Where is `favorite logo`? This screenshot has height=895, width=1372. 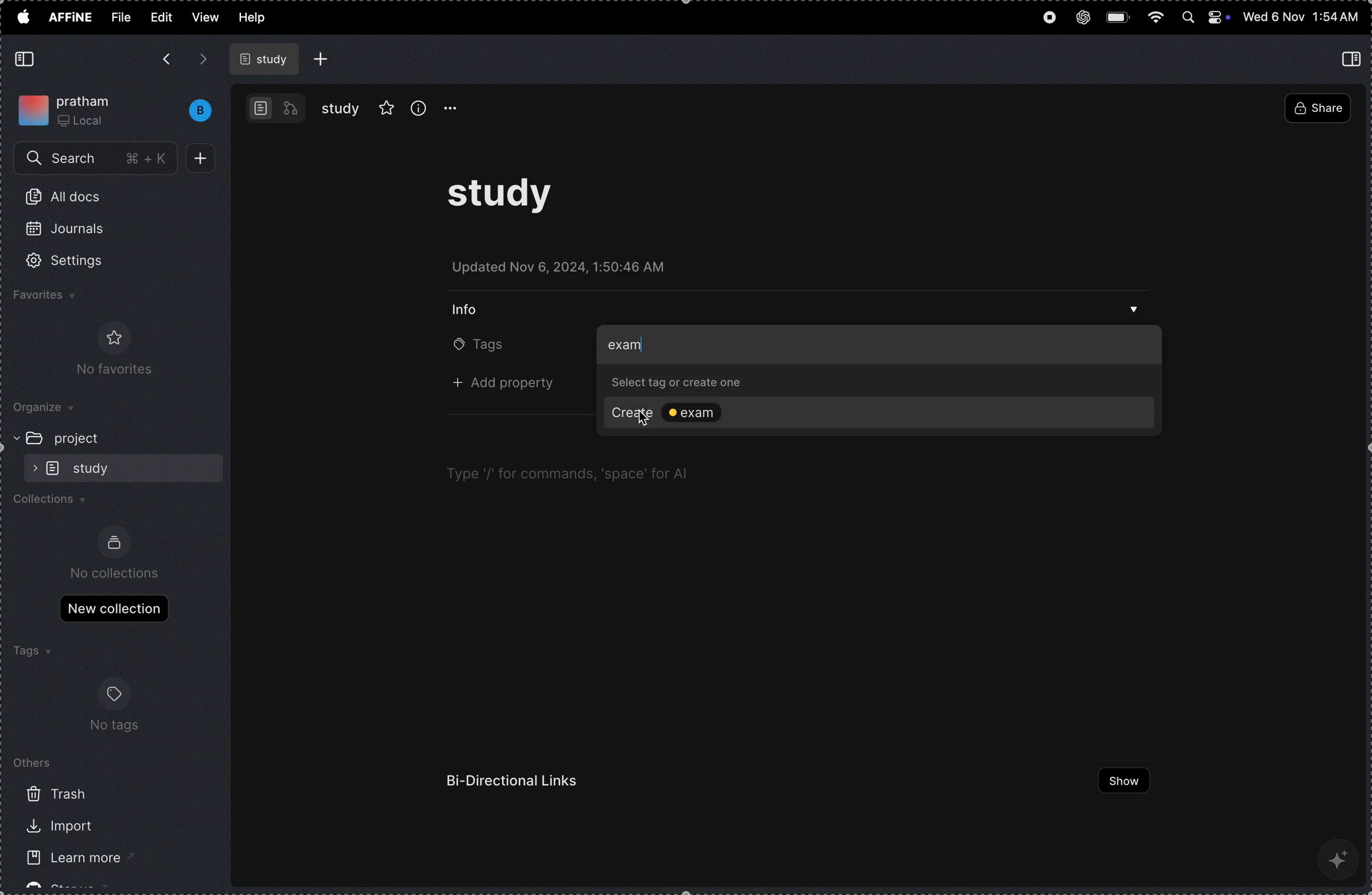
favorite logo is located at coordinates (111, 337).